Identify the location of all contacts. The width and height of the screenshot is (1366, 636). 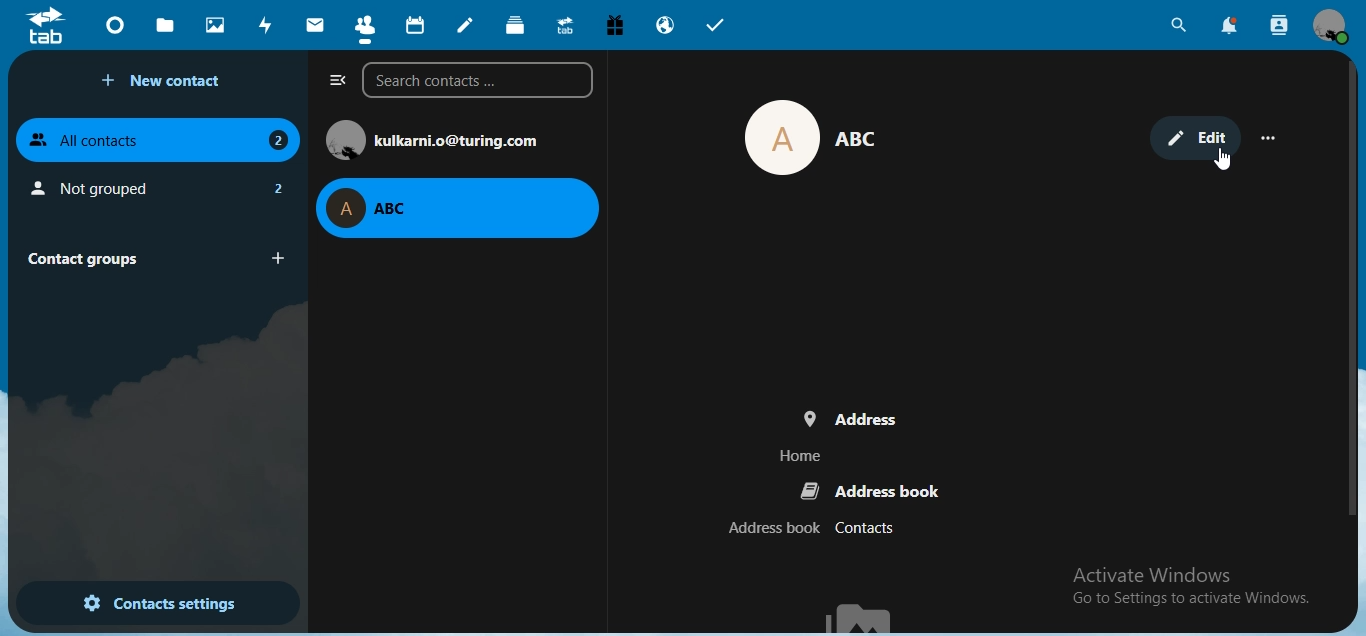
(161, 139).